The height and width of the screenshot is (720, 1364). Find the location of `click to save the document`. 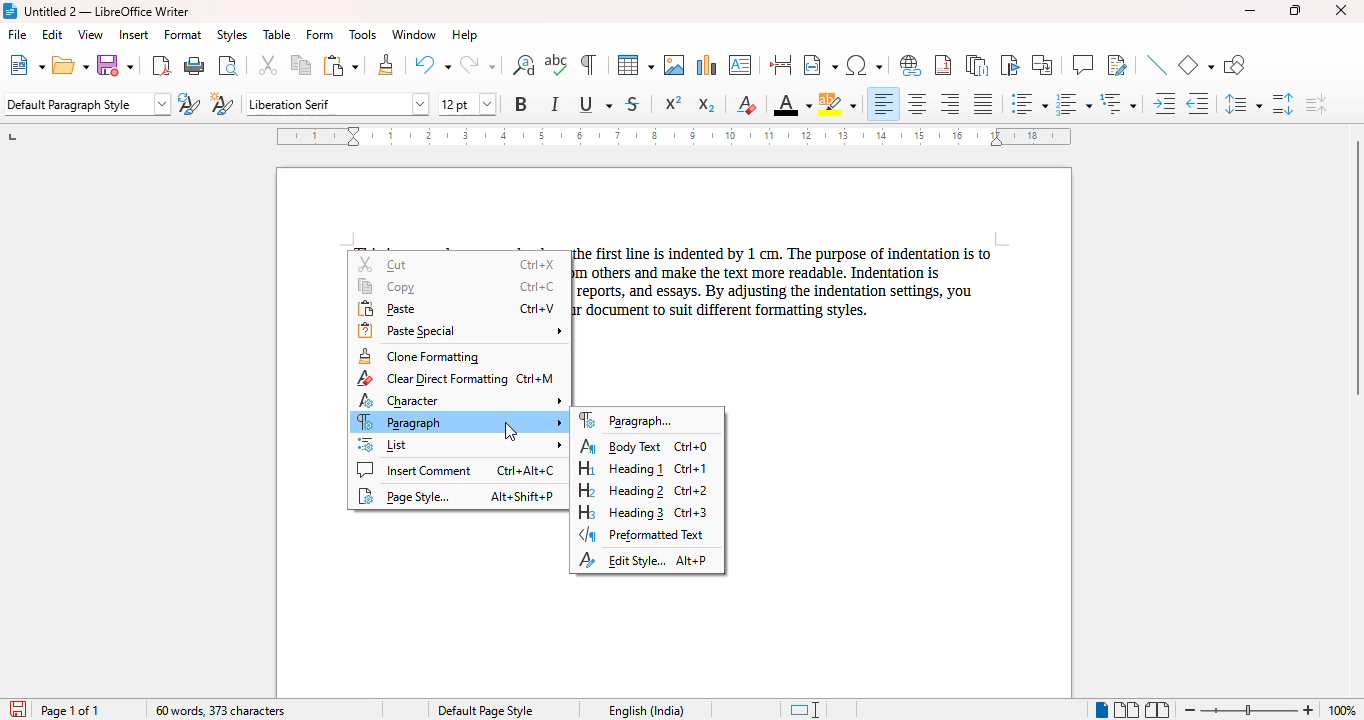

click to save the document is located at coordinates (17, 708).